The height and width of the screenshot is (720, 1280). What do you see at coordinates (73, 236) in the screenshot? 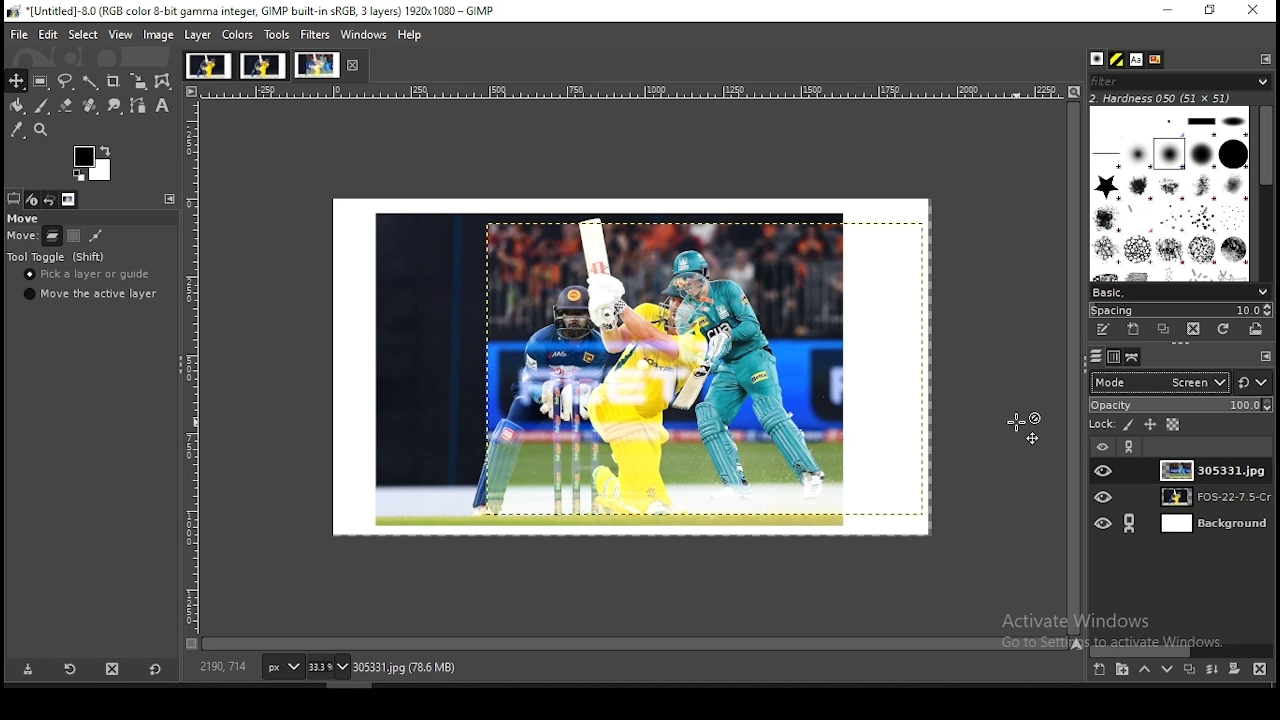
I see `move selection` at bounding box center [73, 236].